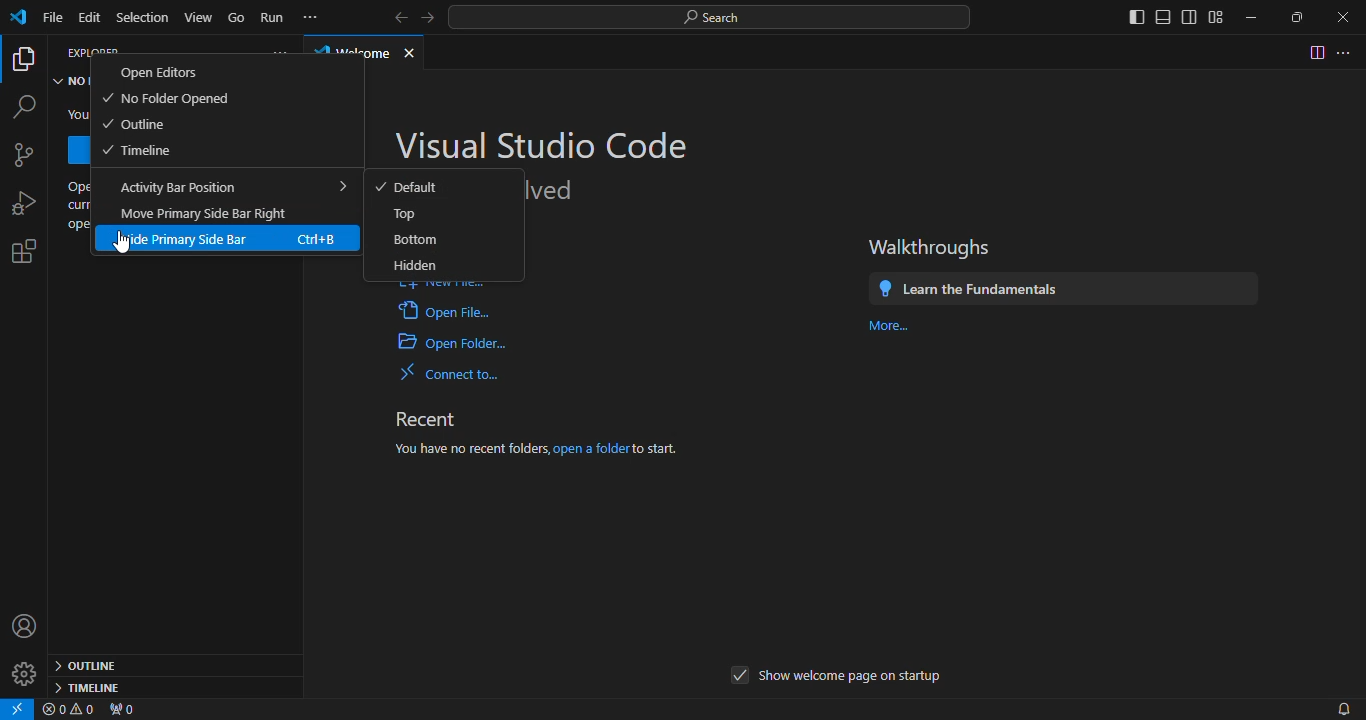 Image resolution: width=1366 pixels, height=720 pixels. I want to click on Opening a folder will close all currently open editors. To keep them open, add a folder instead., so click(76, 207).